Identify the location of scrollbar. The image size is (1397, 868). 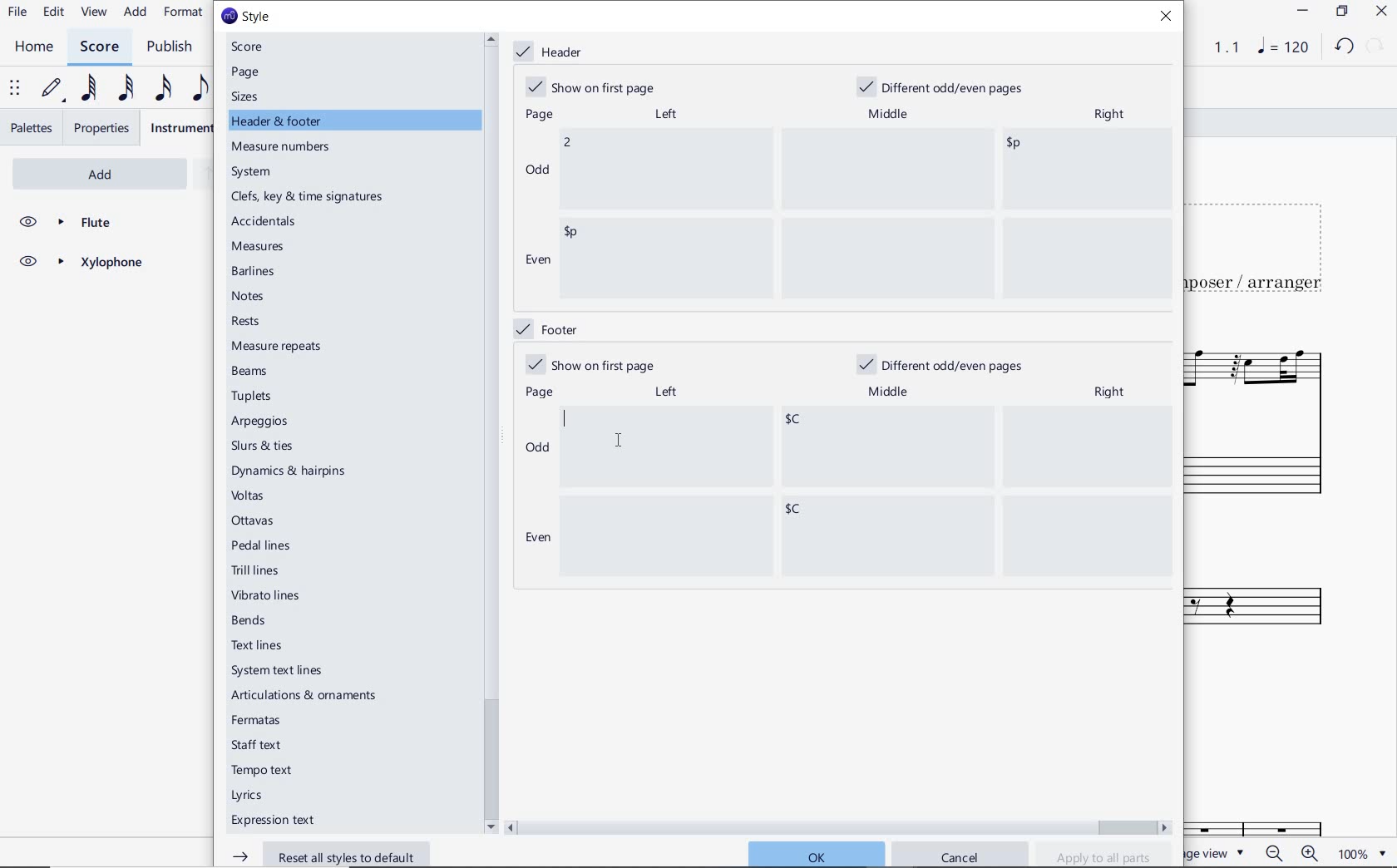
(839, 826).